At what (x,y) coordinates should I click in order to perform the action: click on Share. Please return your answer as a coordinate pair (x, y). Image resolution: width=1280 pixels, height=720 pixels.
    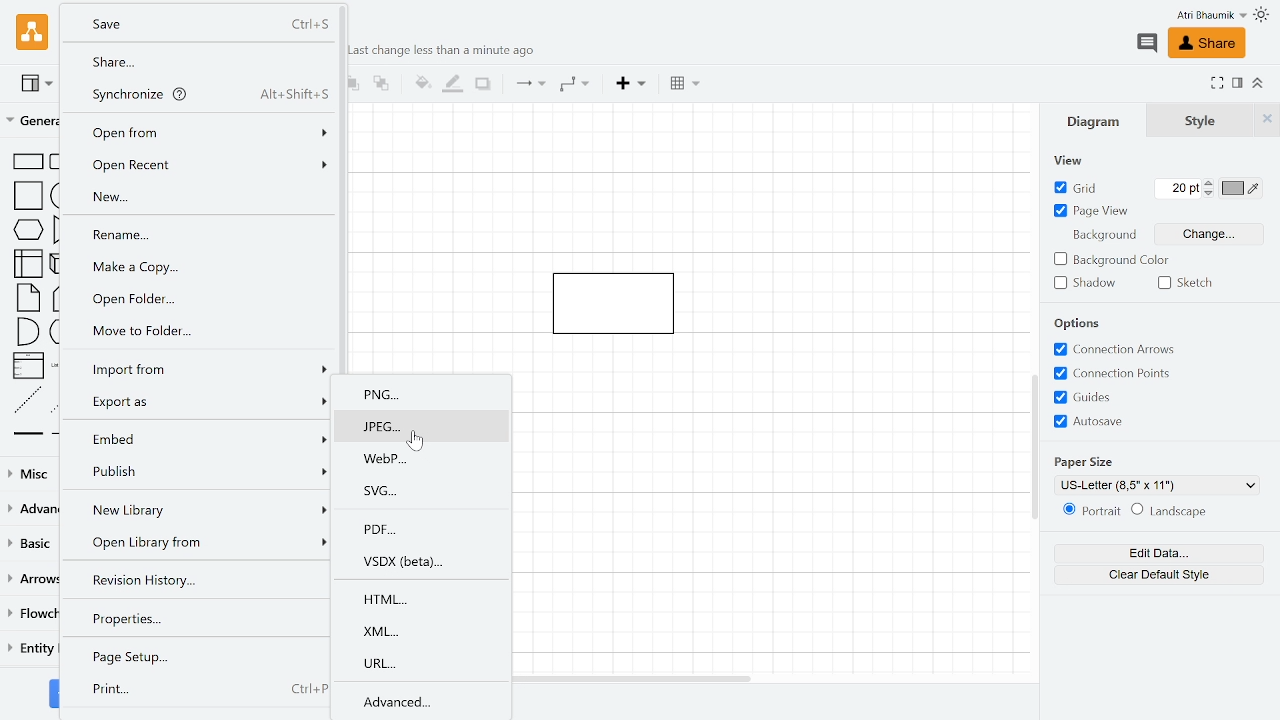
    Looking at the image, I should click on (1210, 44).